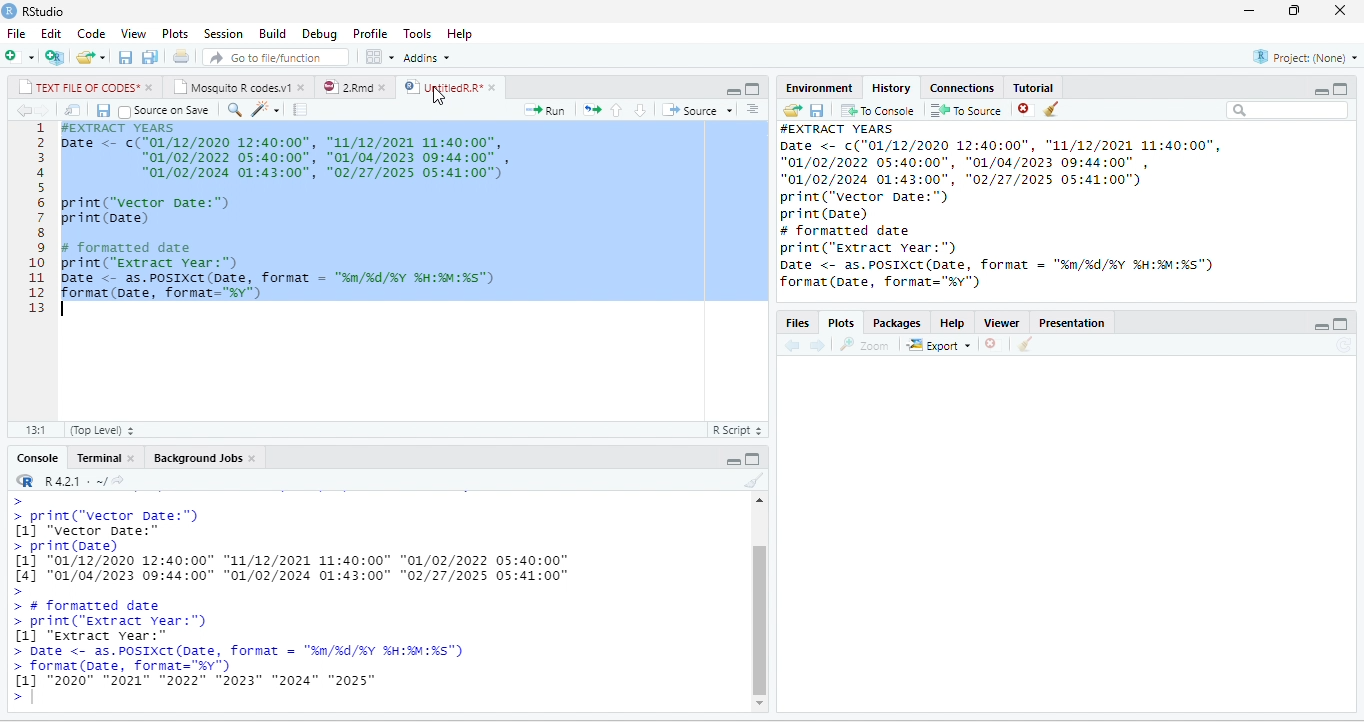 This screenshot has height=722, width=1364. I want to click on History, so click(891, 89).